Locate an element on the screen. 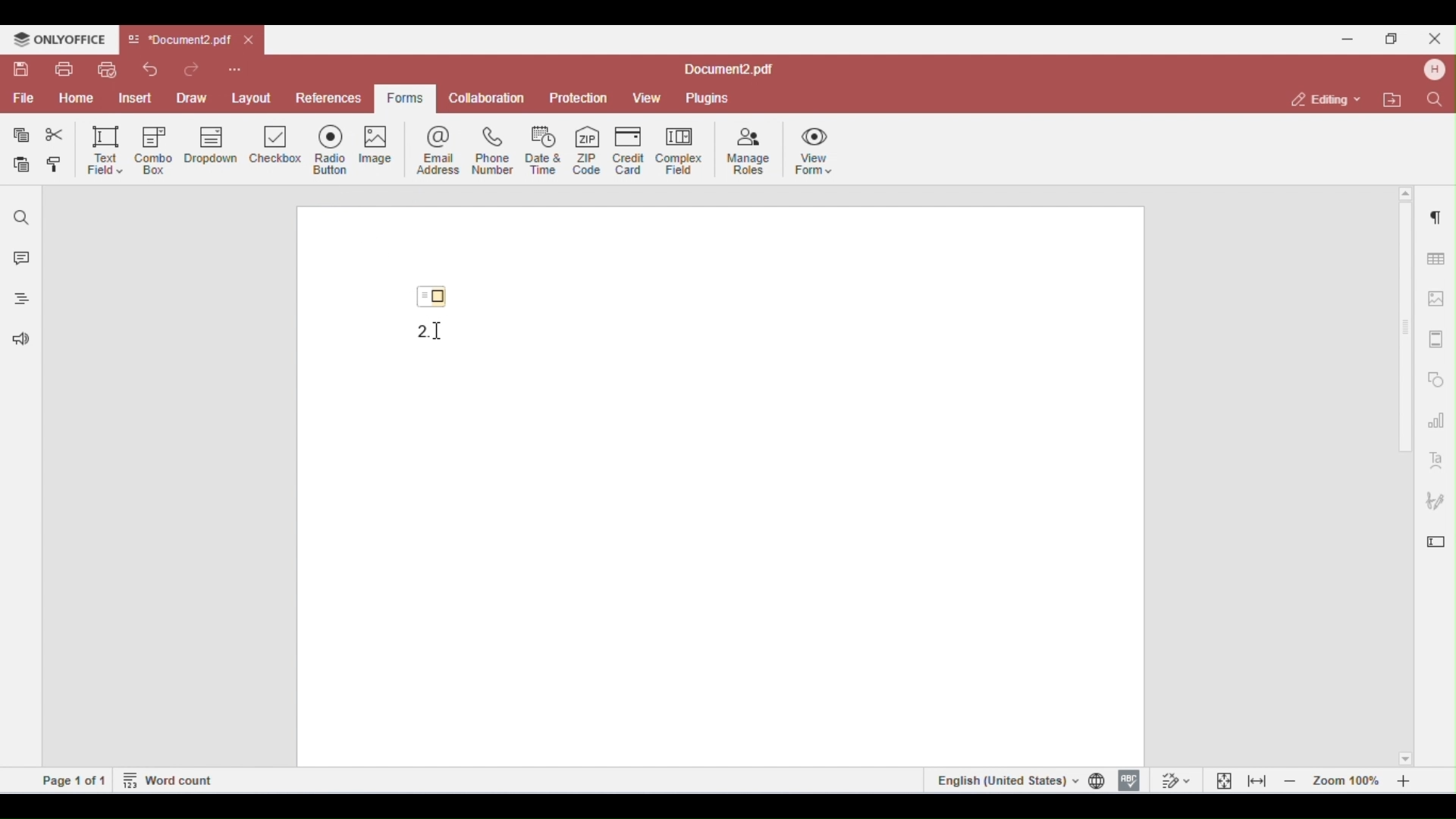 This screenshot has width=1456, height=819. protection is located at coordinates (579, 99).